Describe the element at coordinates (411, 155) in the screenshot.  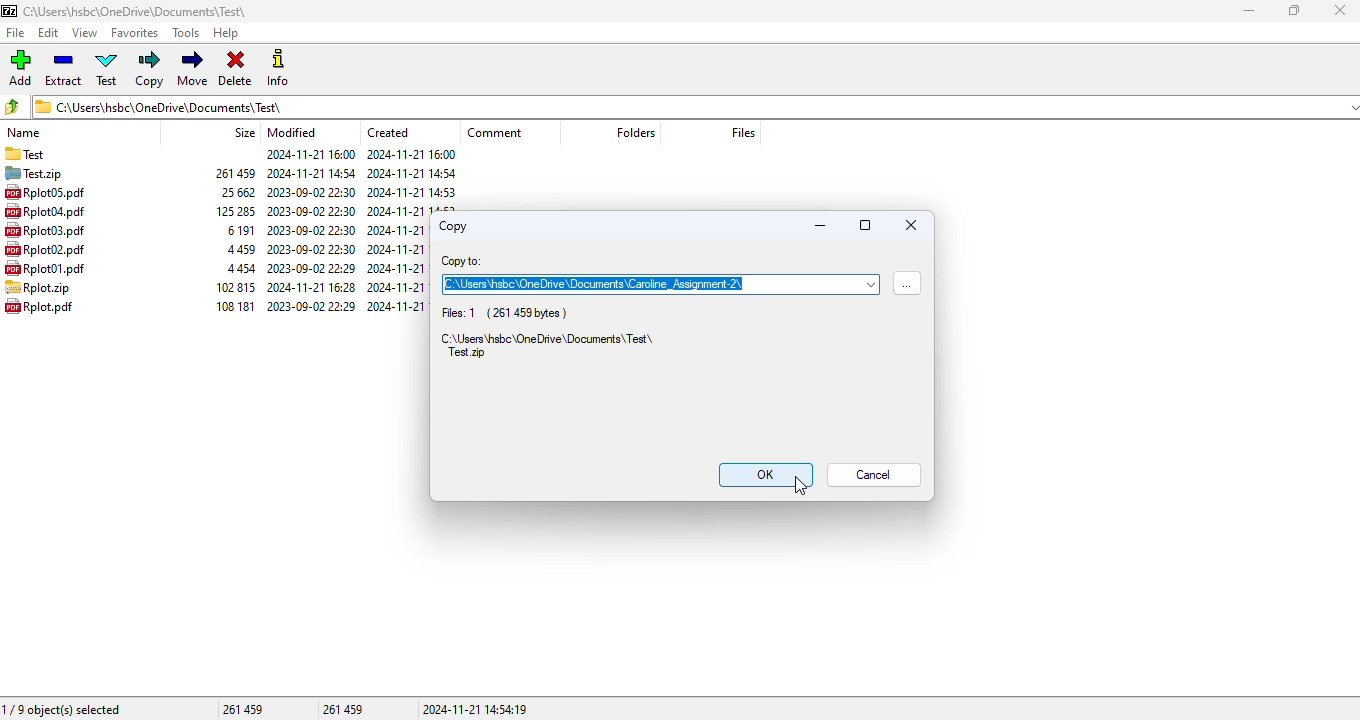
I see `created date & time` at that location.